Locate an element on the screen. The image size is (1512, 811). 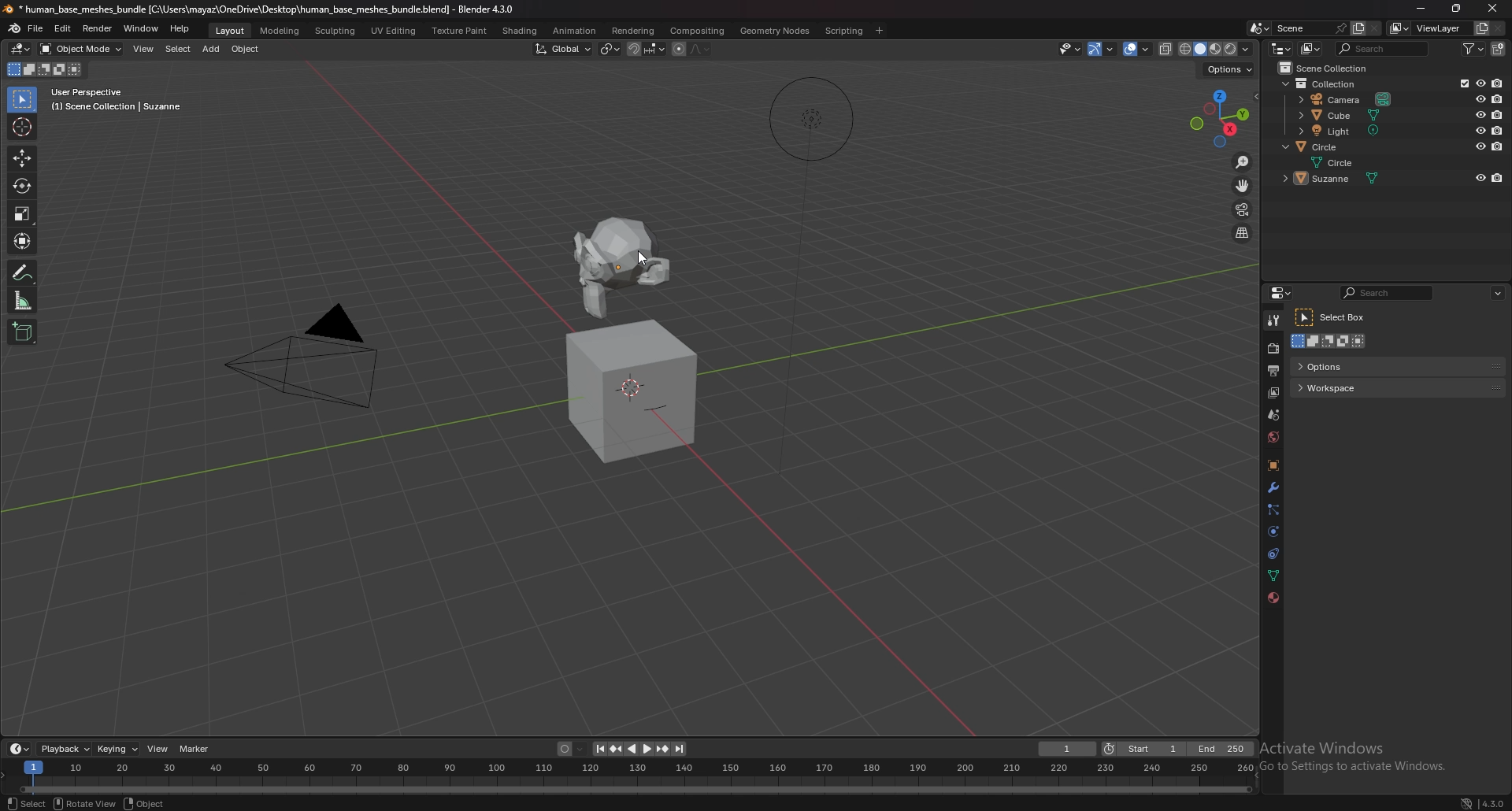
title is located at coordinates (257, 9).